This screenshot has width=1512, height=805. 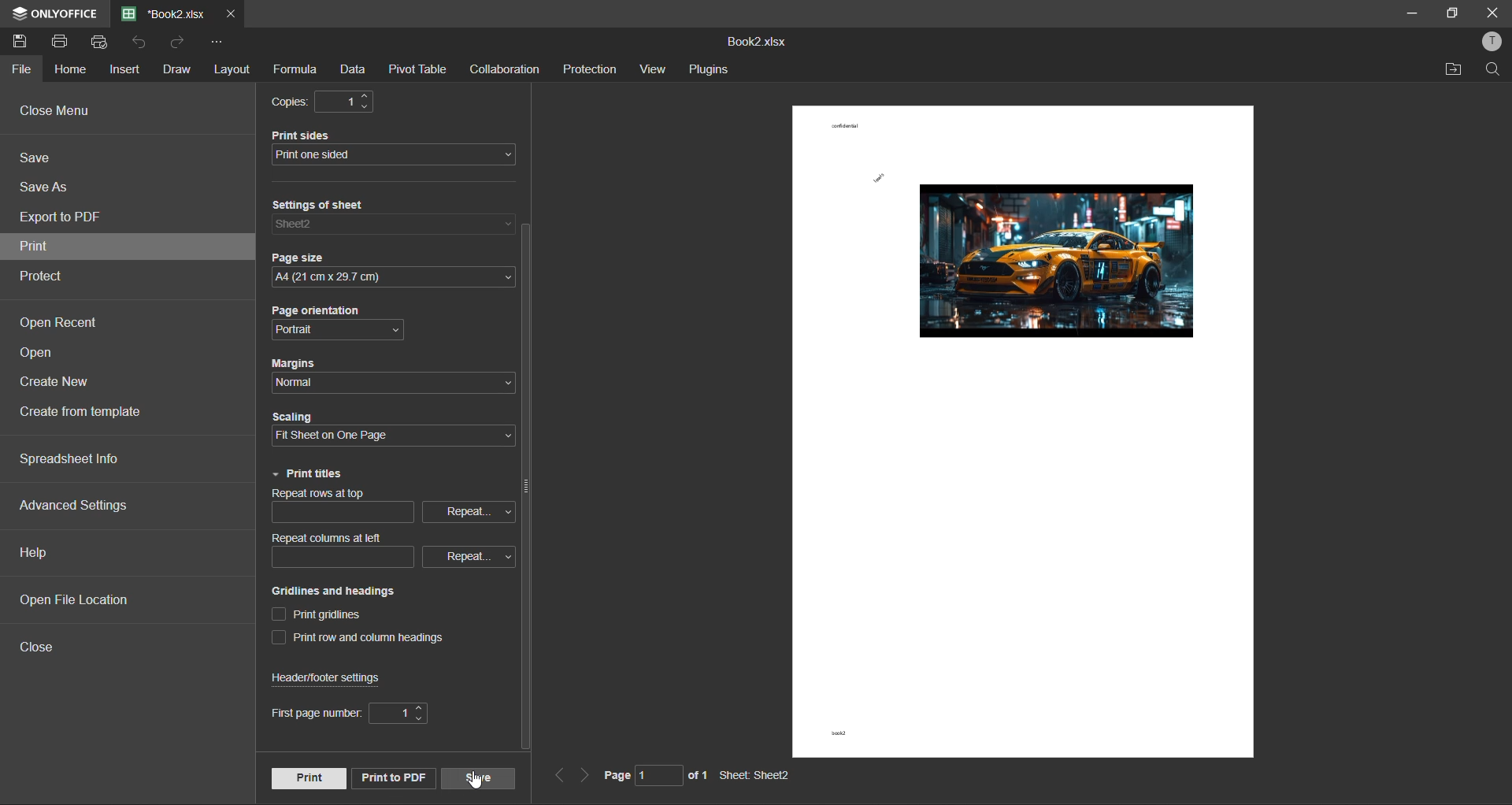 I want to click on profile, so click(x=1493, y=42).